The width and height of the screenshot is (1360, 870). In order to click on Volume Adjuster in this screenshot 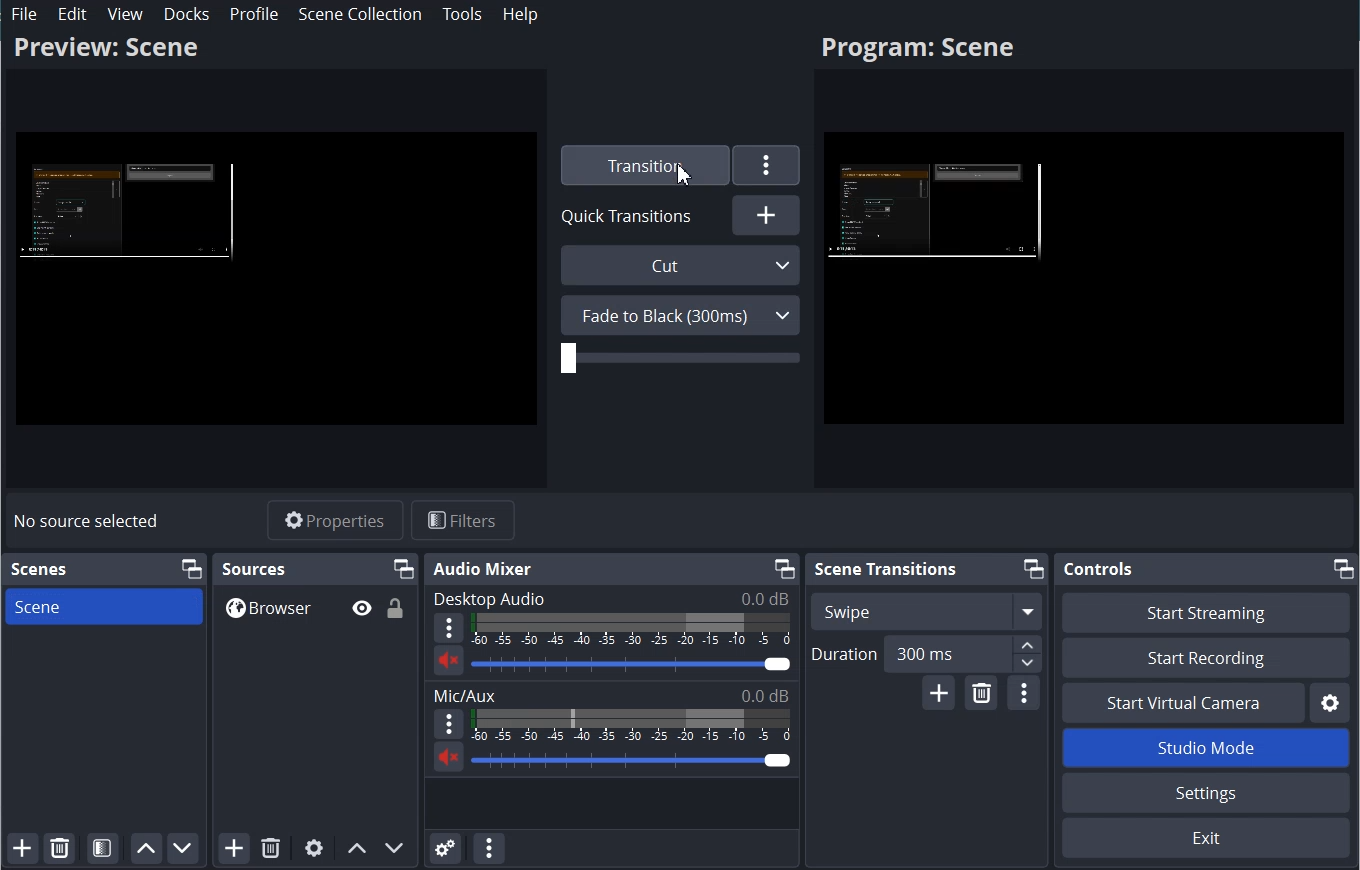, I will do `click(630, 664)`.